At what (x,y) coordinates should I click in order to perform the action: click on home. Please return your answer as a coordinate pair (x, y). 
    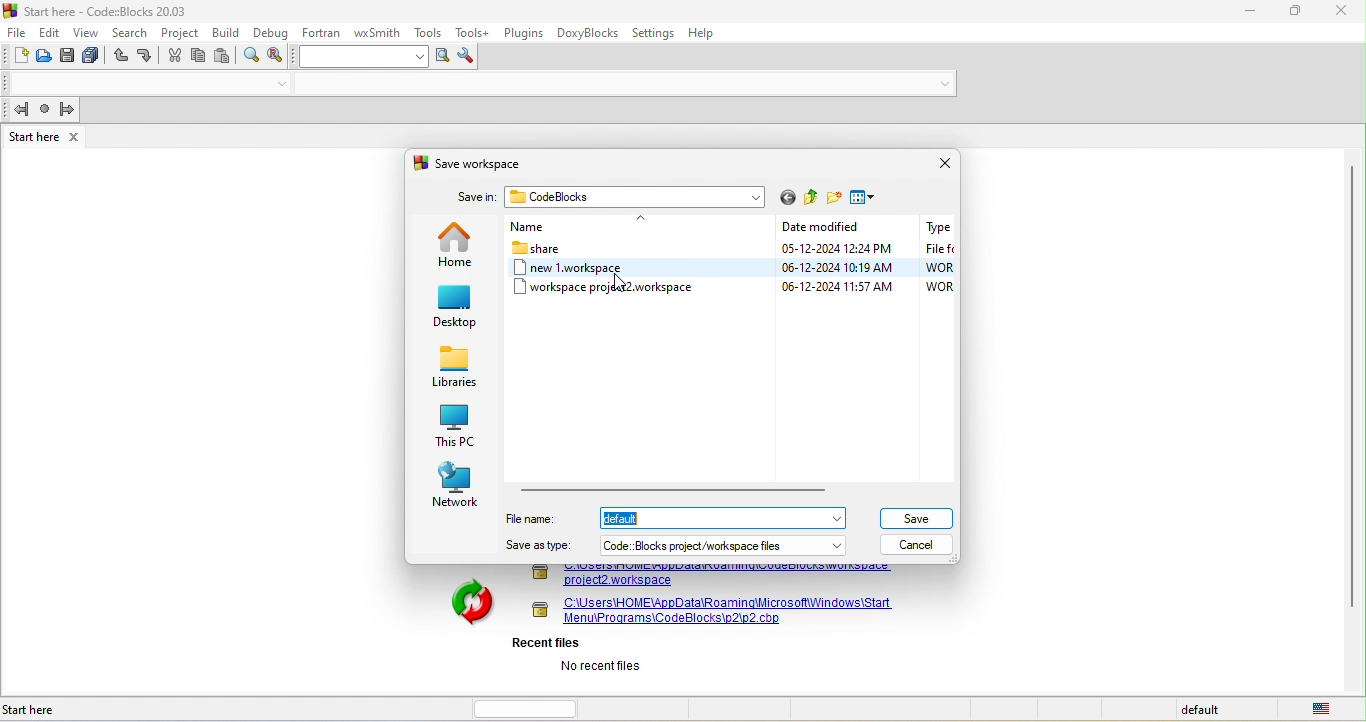
    Looking at the image, I should click on (456, 244).